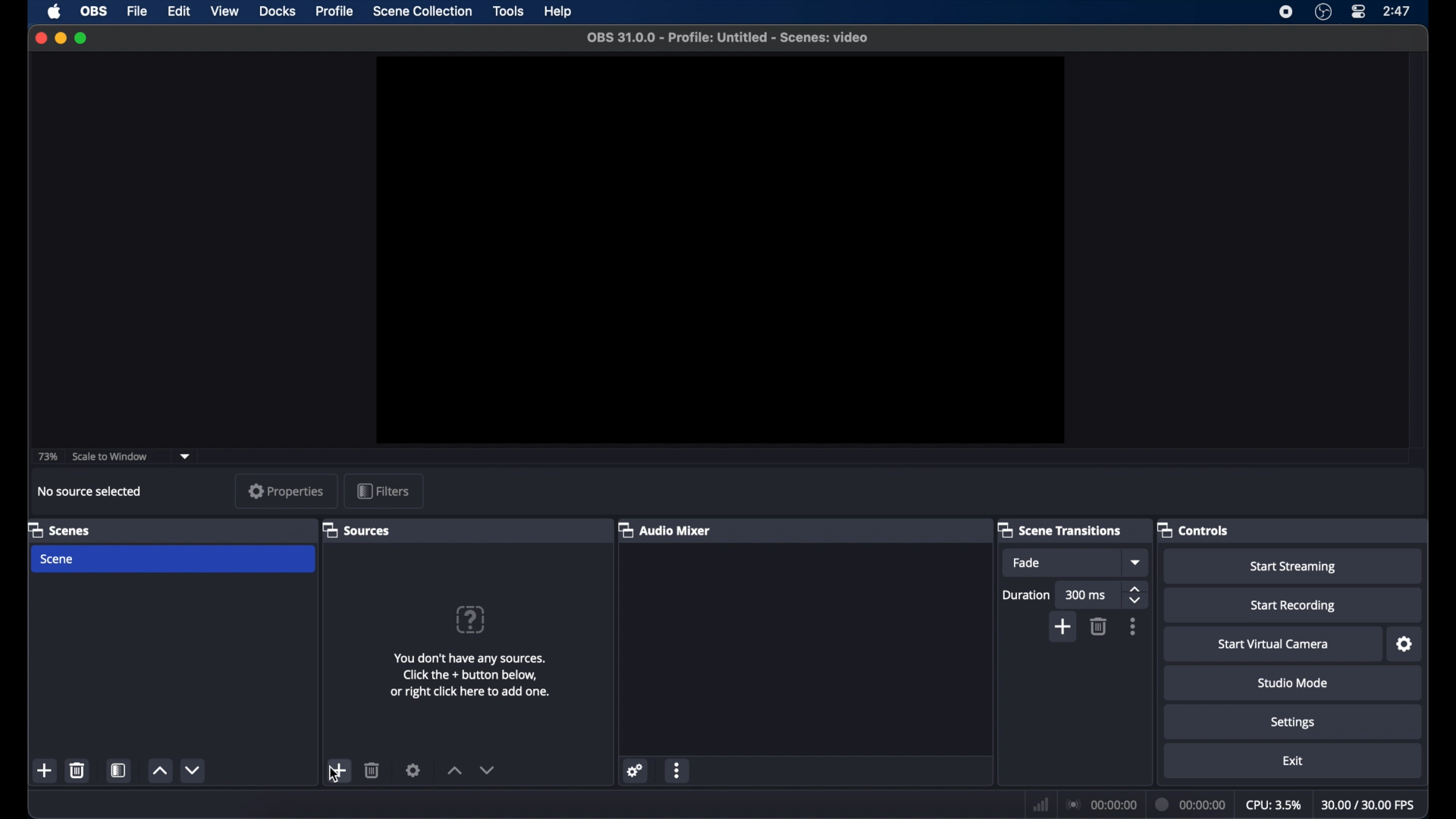  Describe the element at coordinates (469, 675) in the screenshot. I see `info` at that location.